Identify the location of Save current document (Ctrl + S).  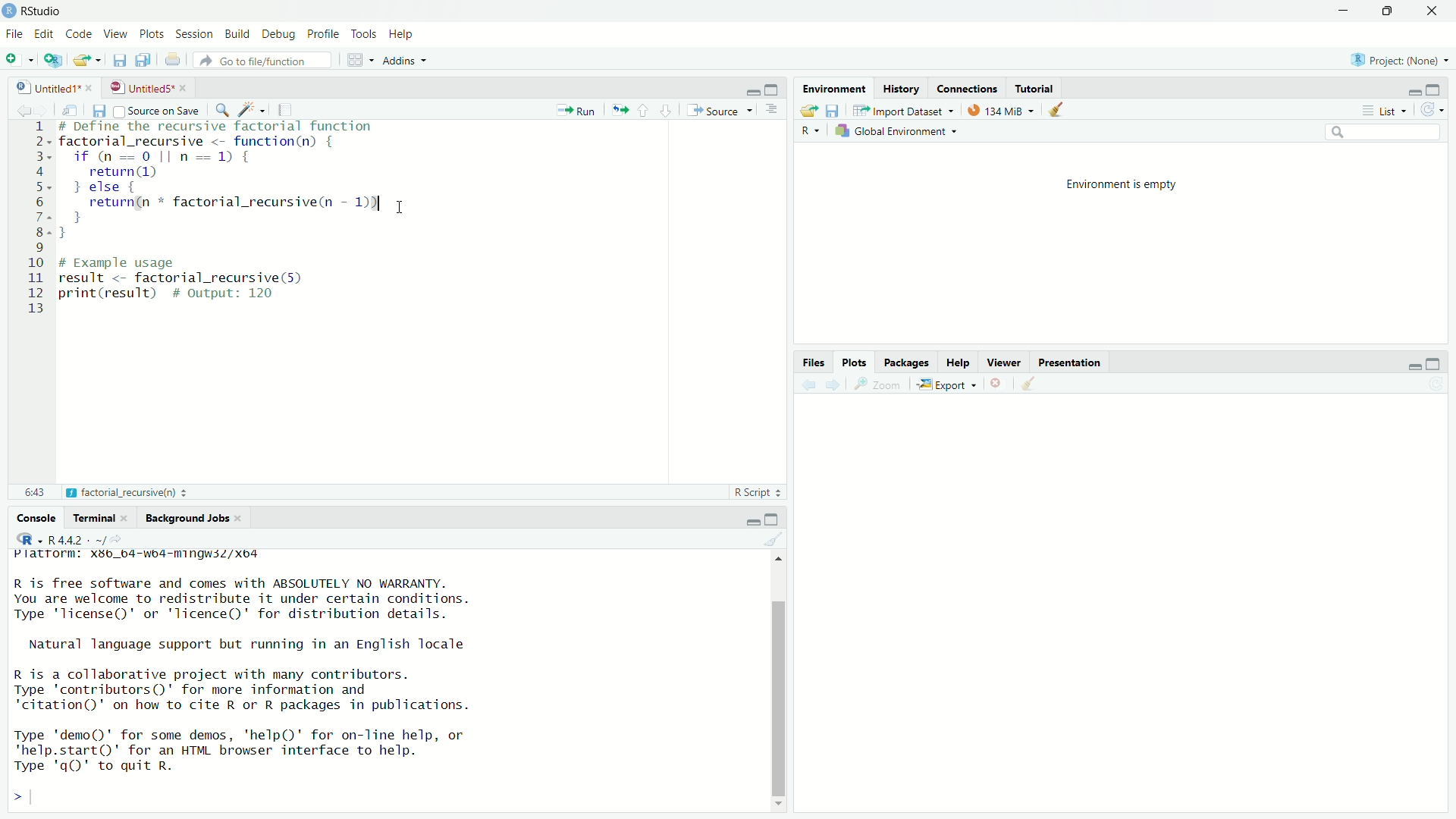
(99, 110).